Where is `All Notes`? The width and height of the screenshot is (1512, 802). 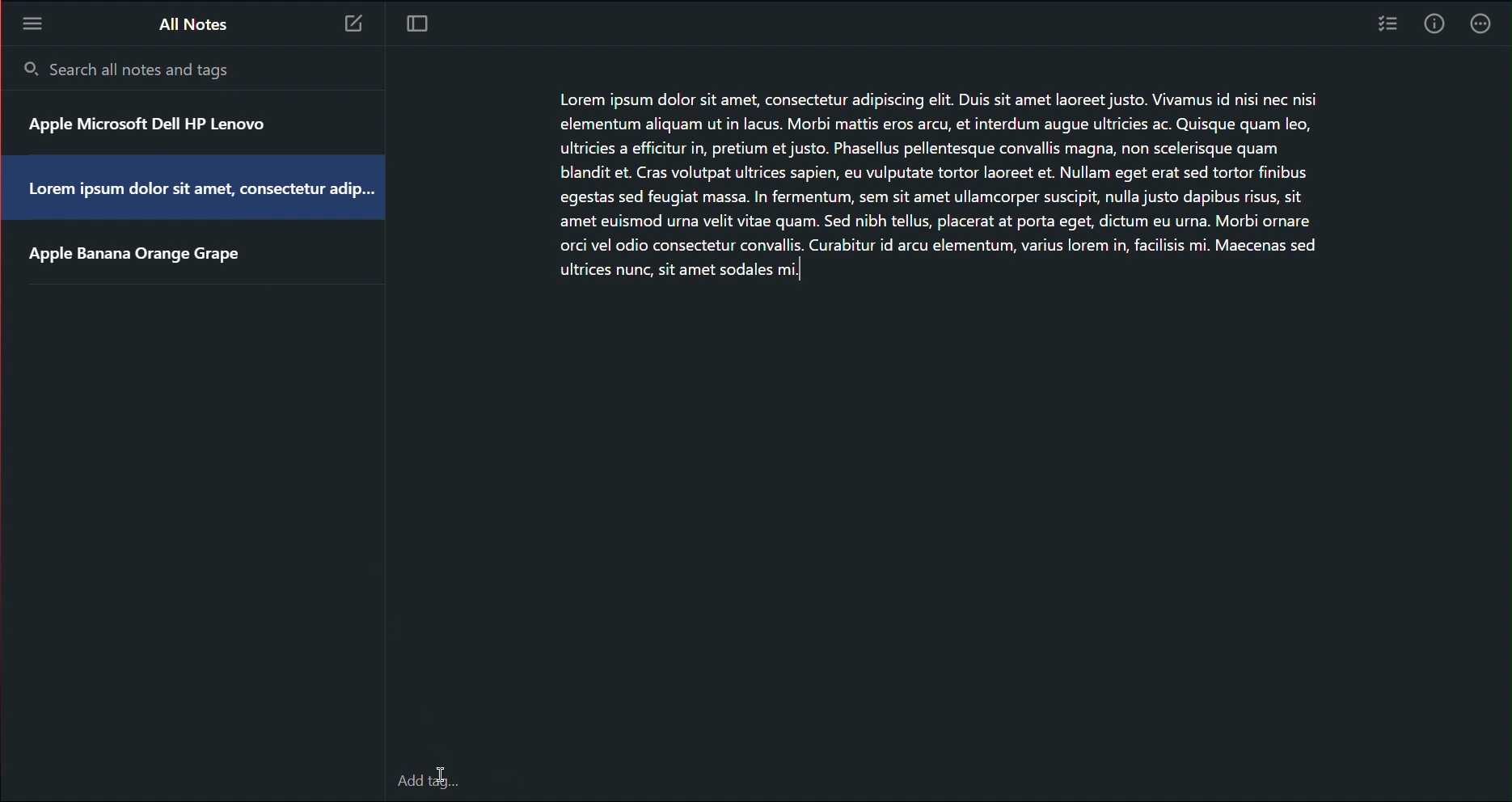 All Notes is located at coordinates (192, 23).